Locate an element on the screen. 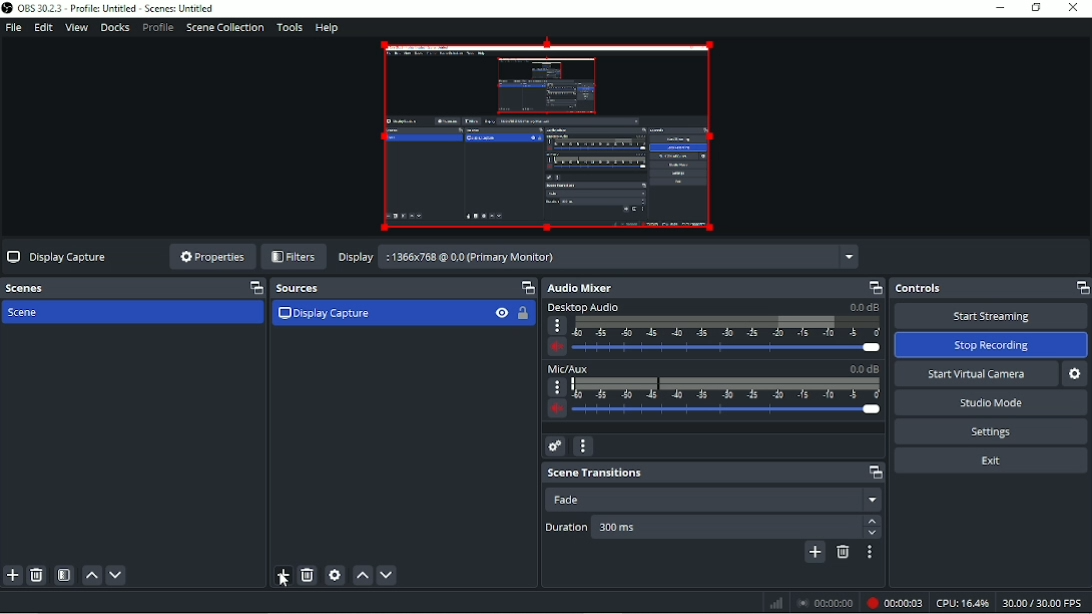 The width and height of the screenshot is (1092, 614). Move scene up is located at coordinates (90, 577).